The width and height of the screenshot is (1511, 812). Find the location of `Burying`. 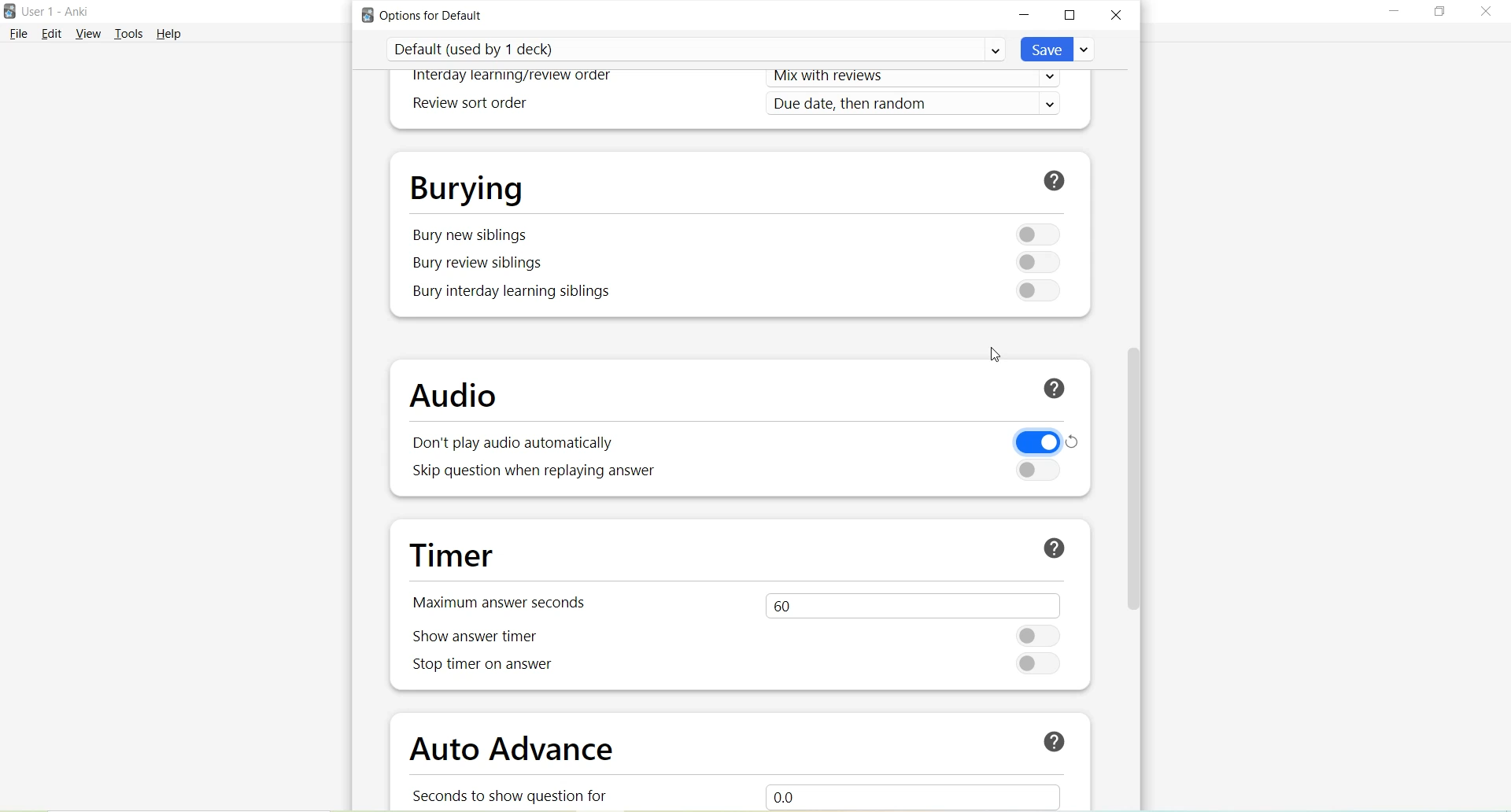

Burying is located at coordinates (467, 186).